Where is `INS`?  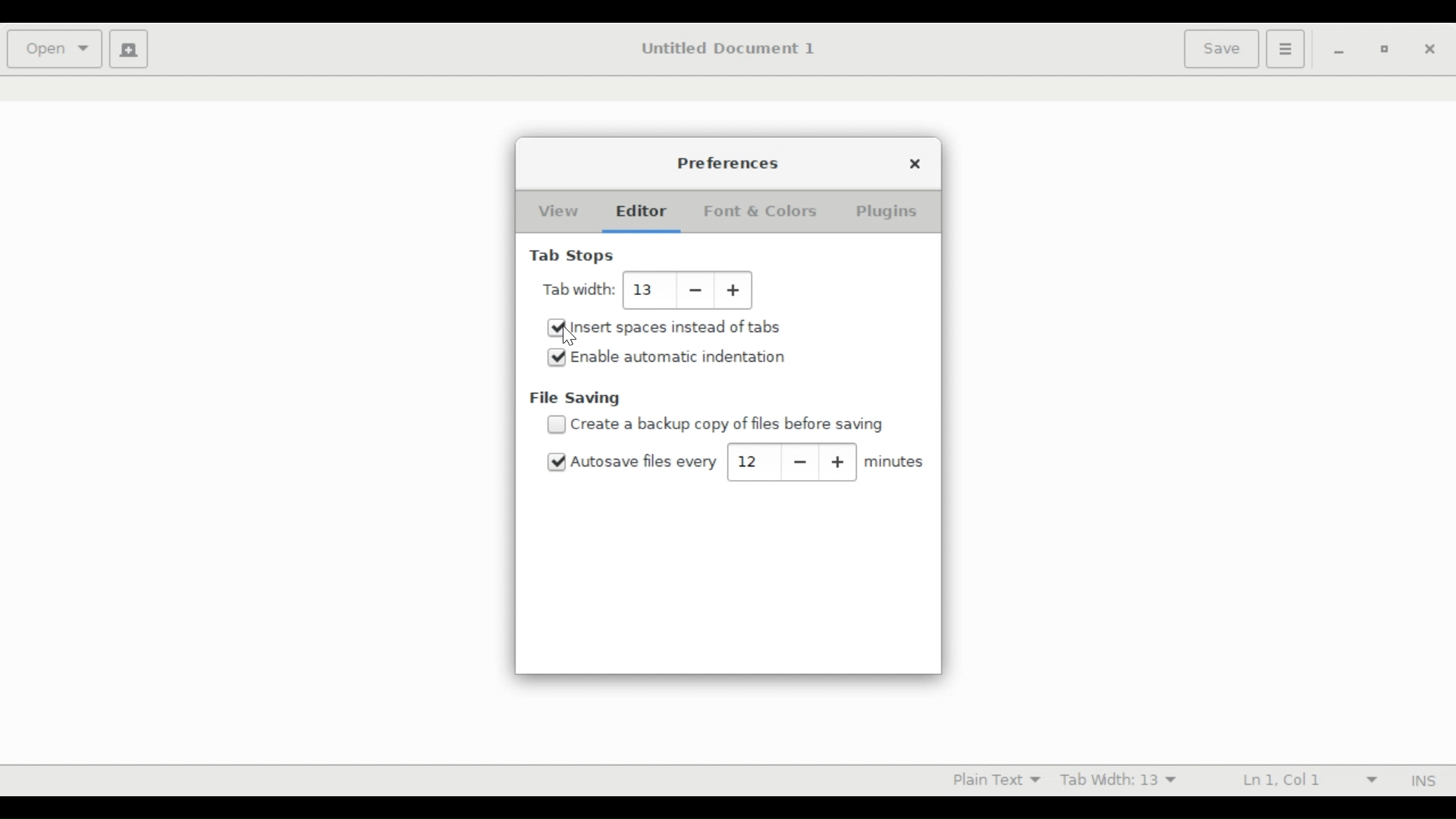
INS is located at coordinates (1423, 781).